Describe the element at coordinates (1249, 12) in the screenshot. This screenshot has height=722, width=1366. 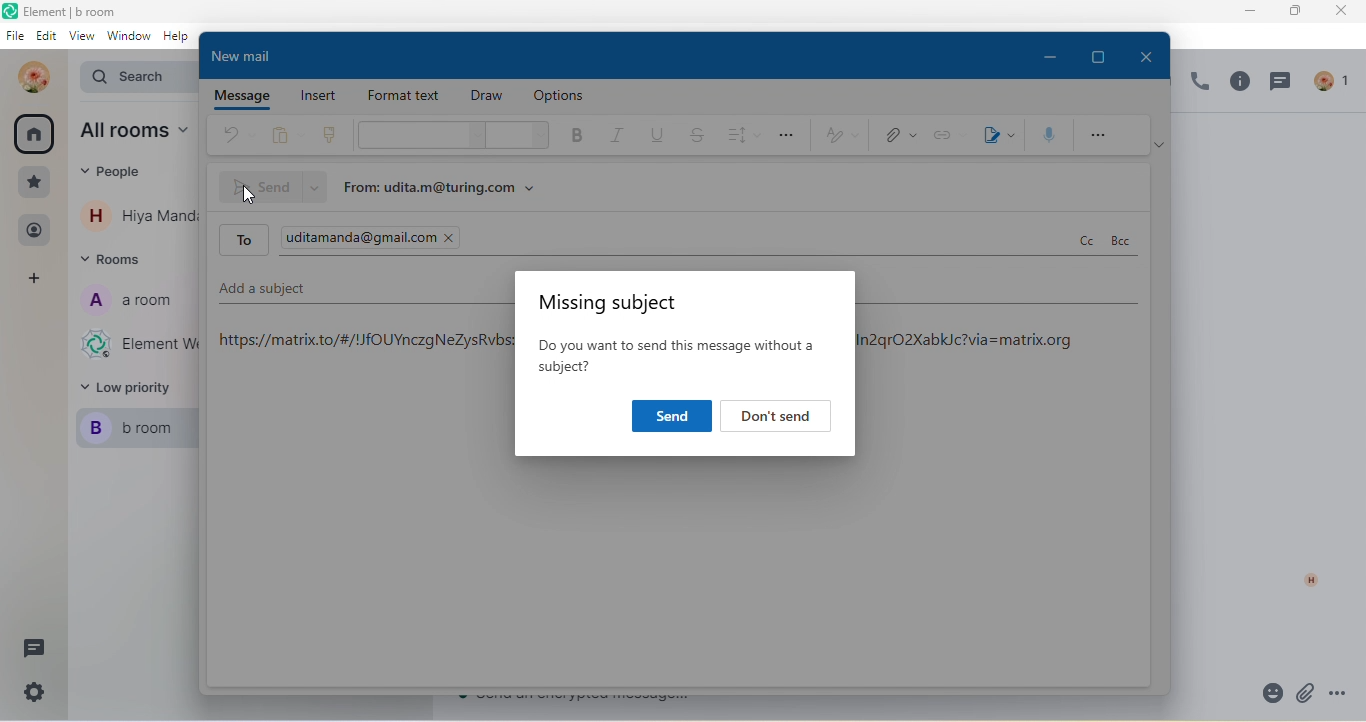
I see `minimize` at that location.